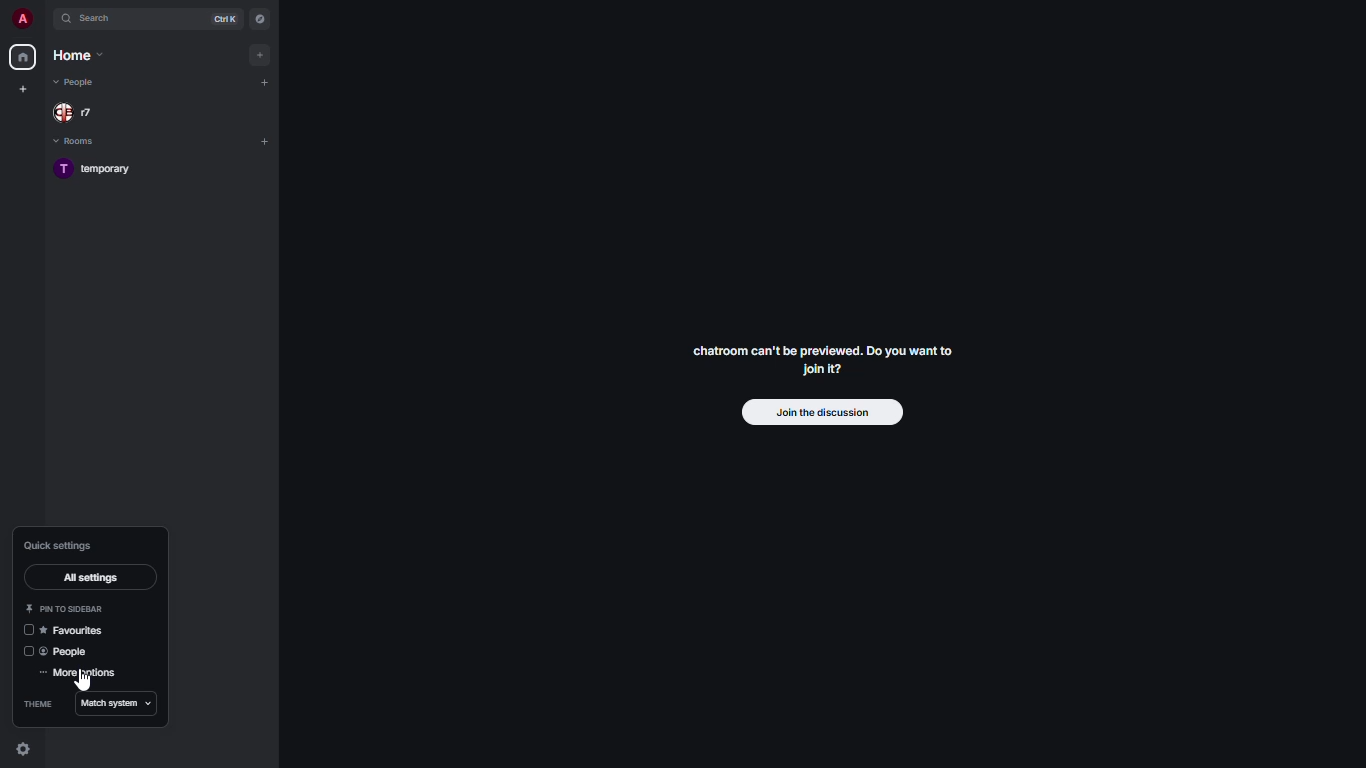 Image resolution: width=1366 pixels, height=768 pixels. What do you see at coordinates (261, 21) in the screenshot?
I see `navigator` at bounding box center [261, 21].